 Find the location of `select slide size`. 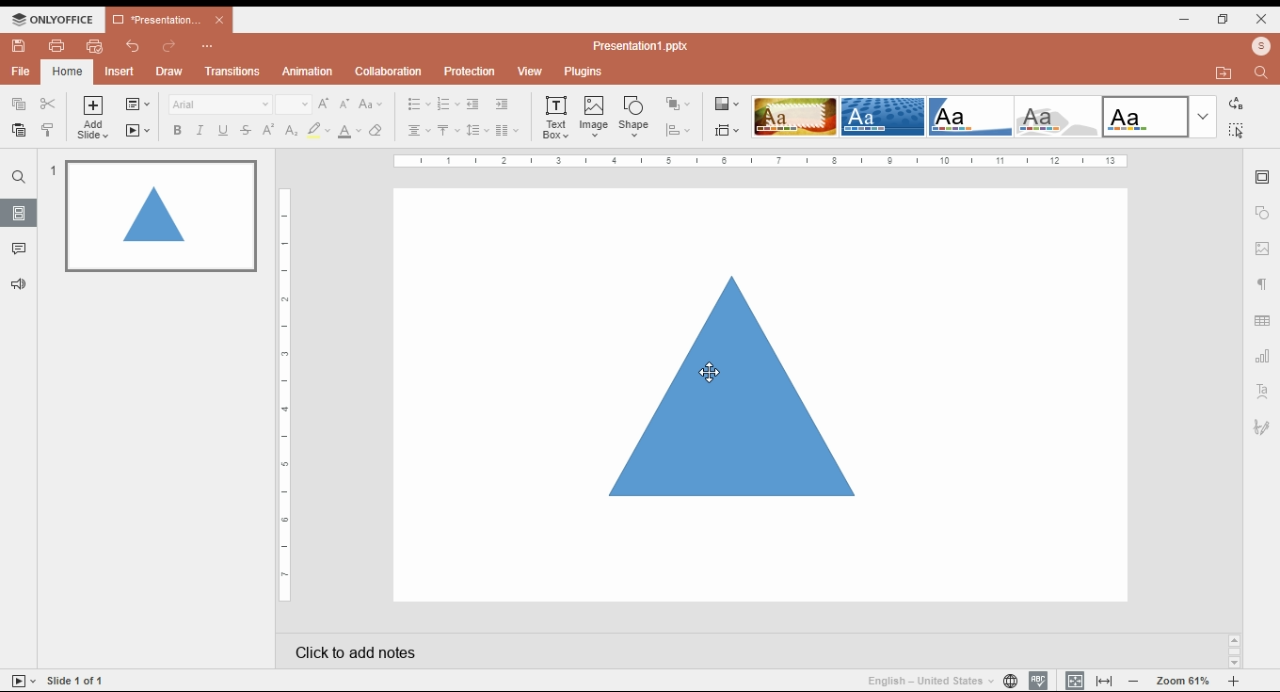

select slide size is located at coordinates (726, 130).